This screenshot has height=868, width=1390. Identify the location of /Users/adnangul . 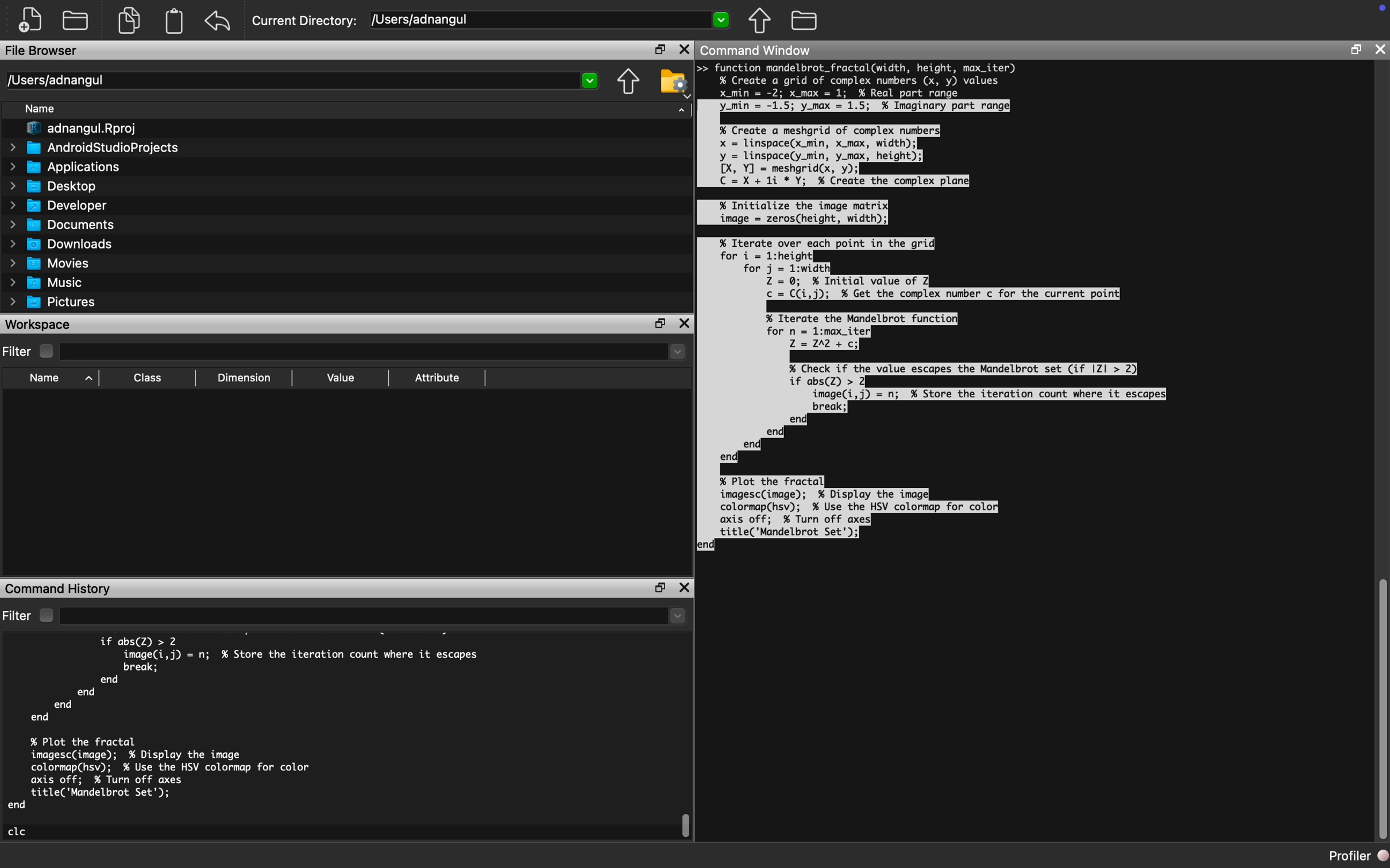
(300, 81).